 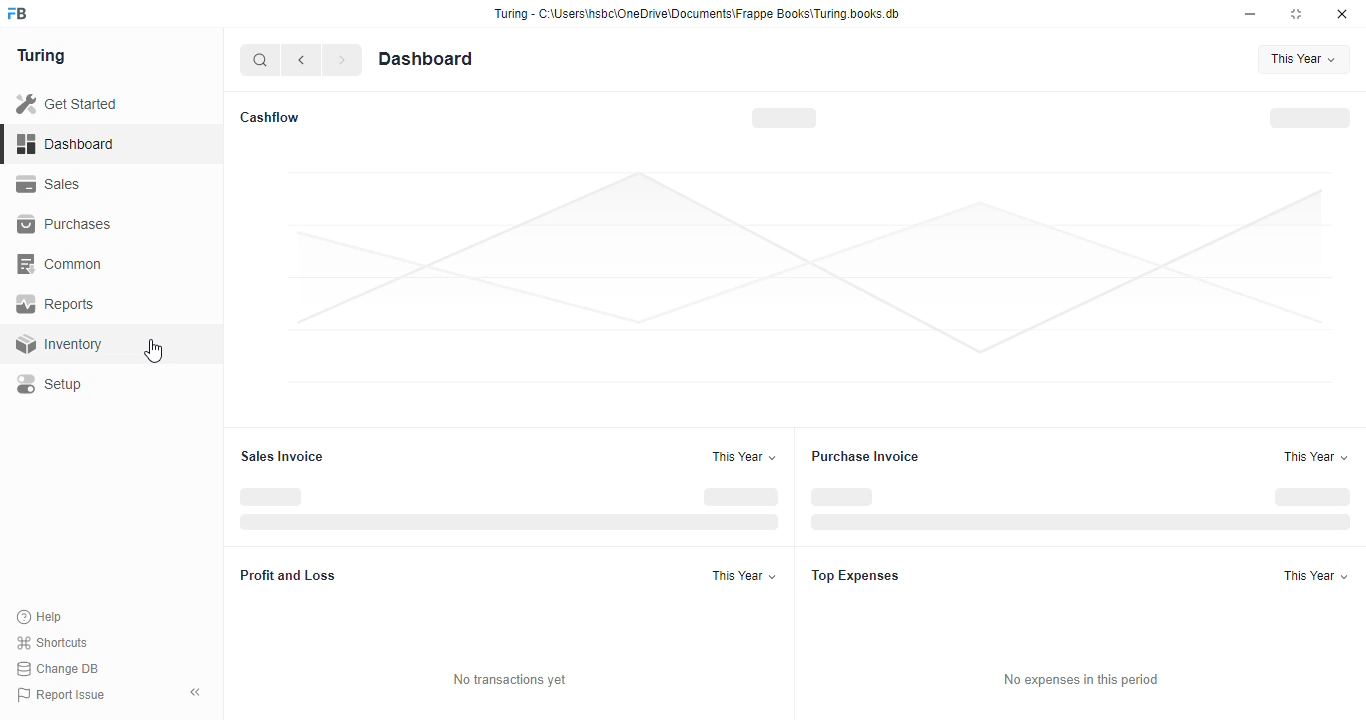 I want to click on no transactions yet, so click(x=509, y=679).